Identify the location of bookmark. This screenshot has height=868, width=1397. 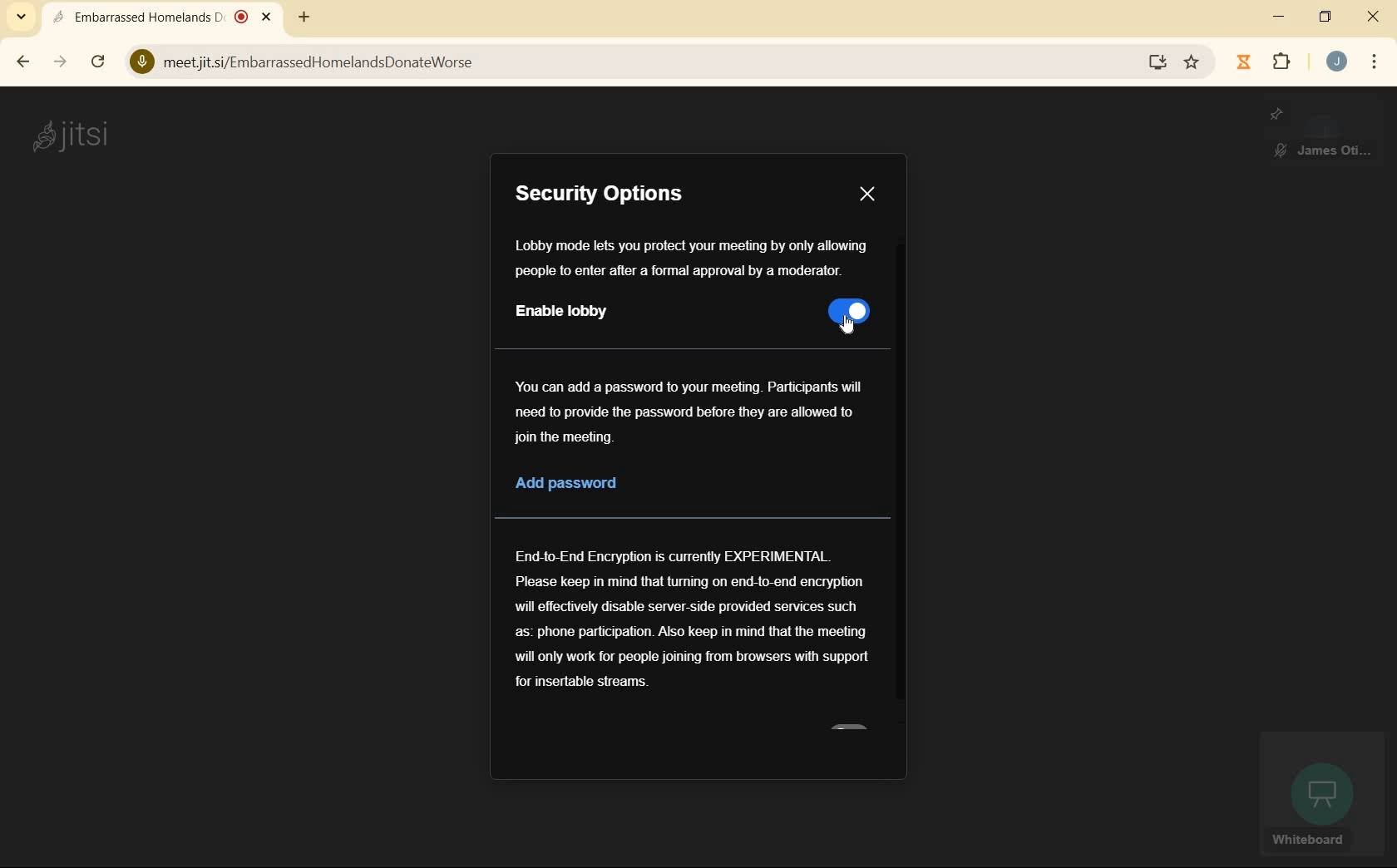
(1194, 61).